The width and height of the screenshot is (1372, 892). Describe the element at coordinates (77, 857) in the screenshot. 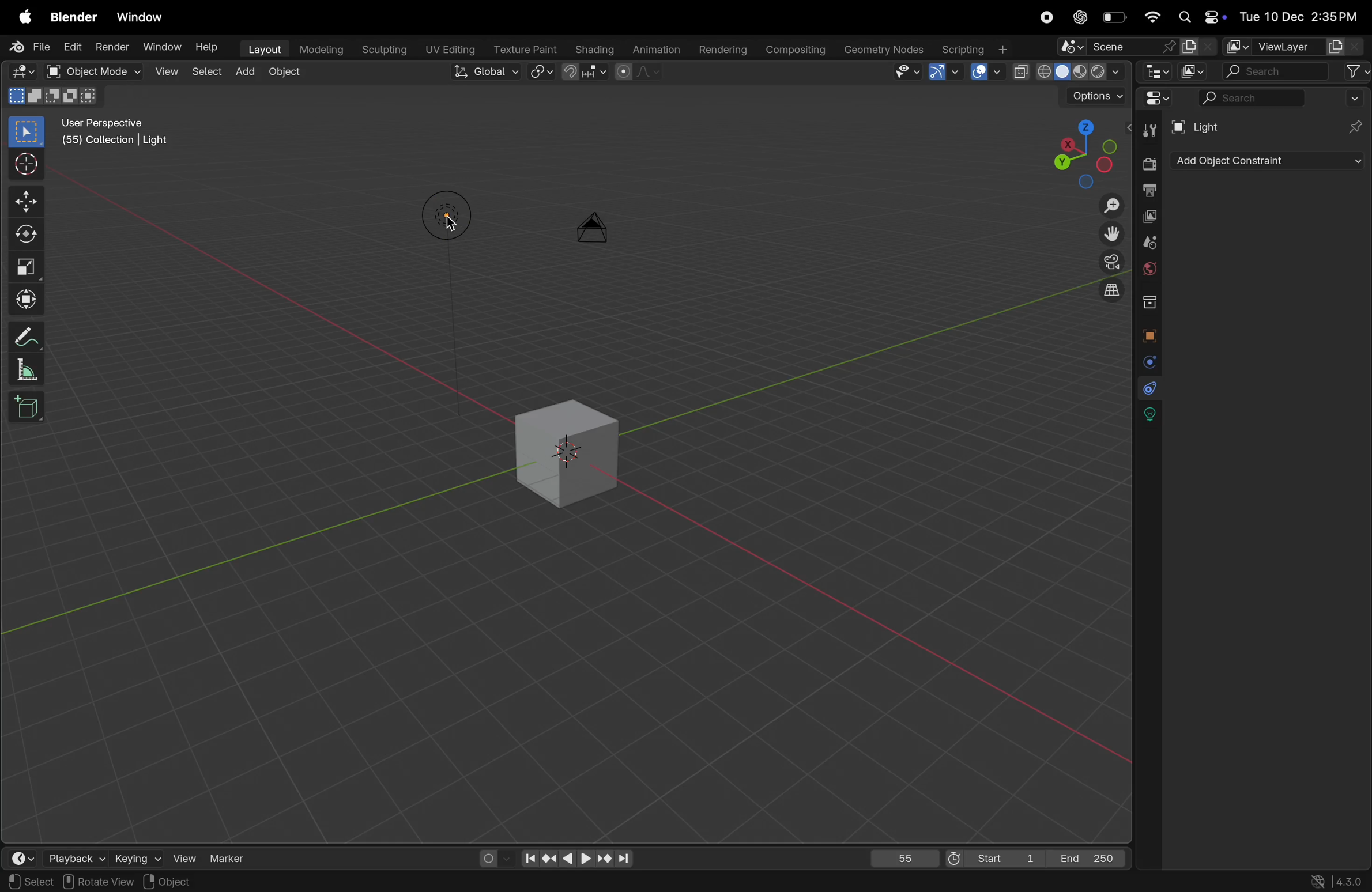

I see `playback` at that location.